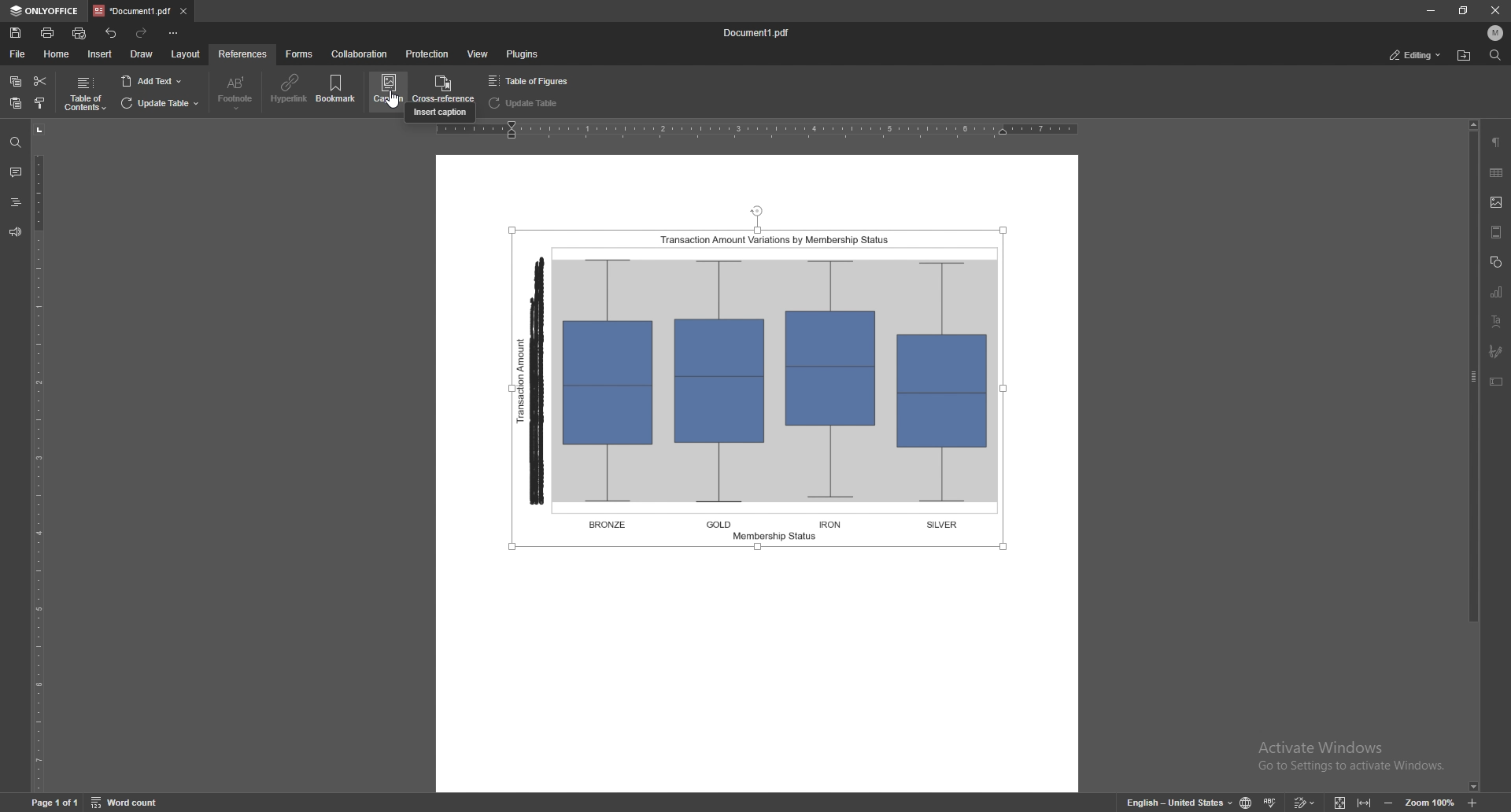  I want to click on status, so click(1414, 54).